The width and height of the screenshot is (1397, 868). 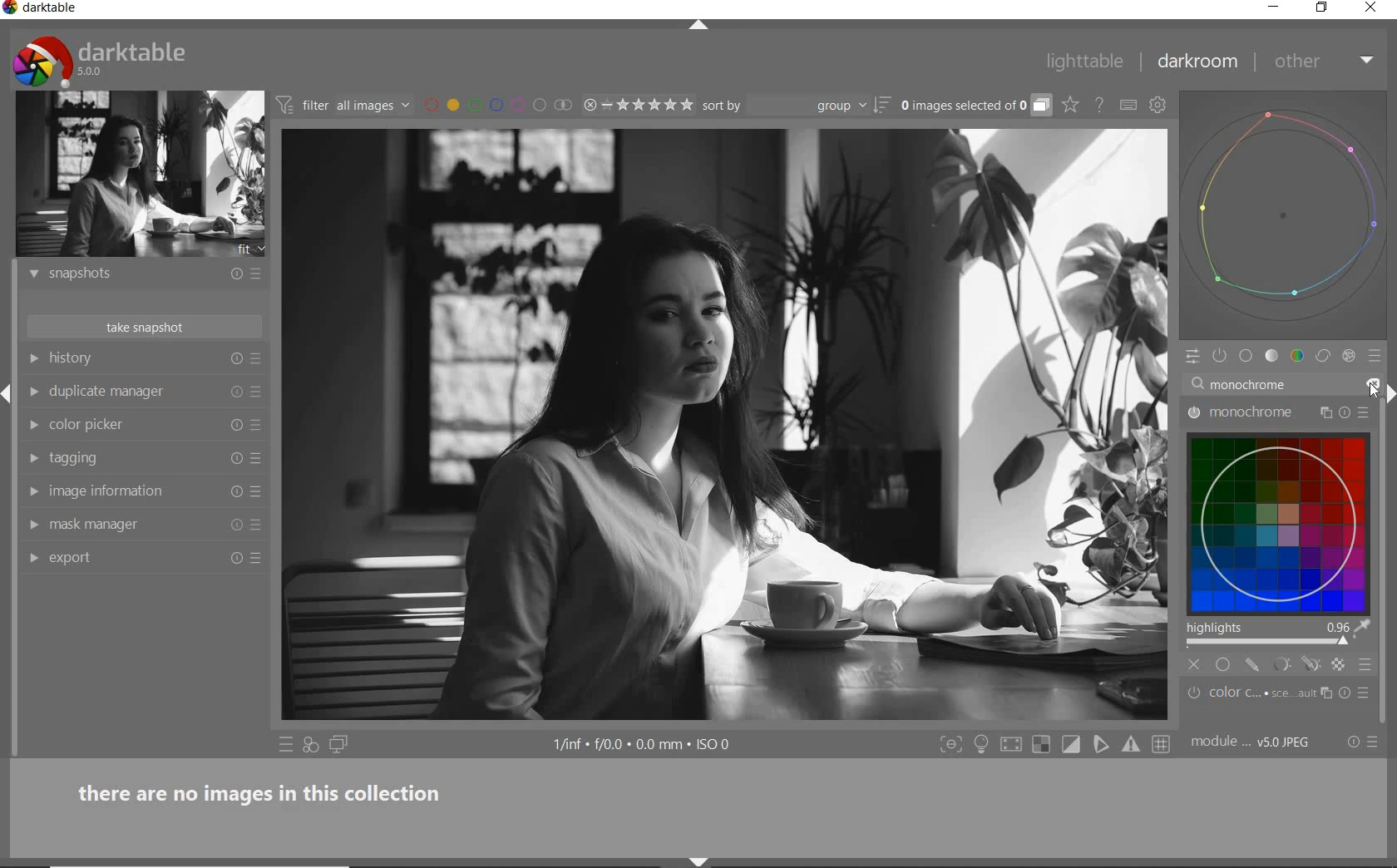 What do you see at coordinates (1247, 383) in the screenshot?
I see `input value` at bounding box center [1247, 383].